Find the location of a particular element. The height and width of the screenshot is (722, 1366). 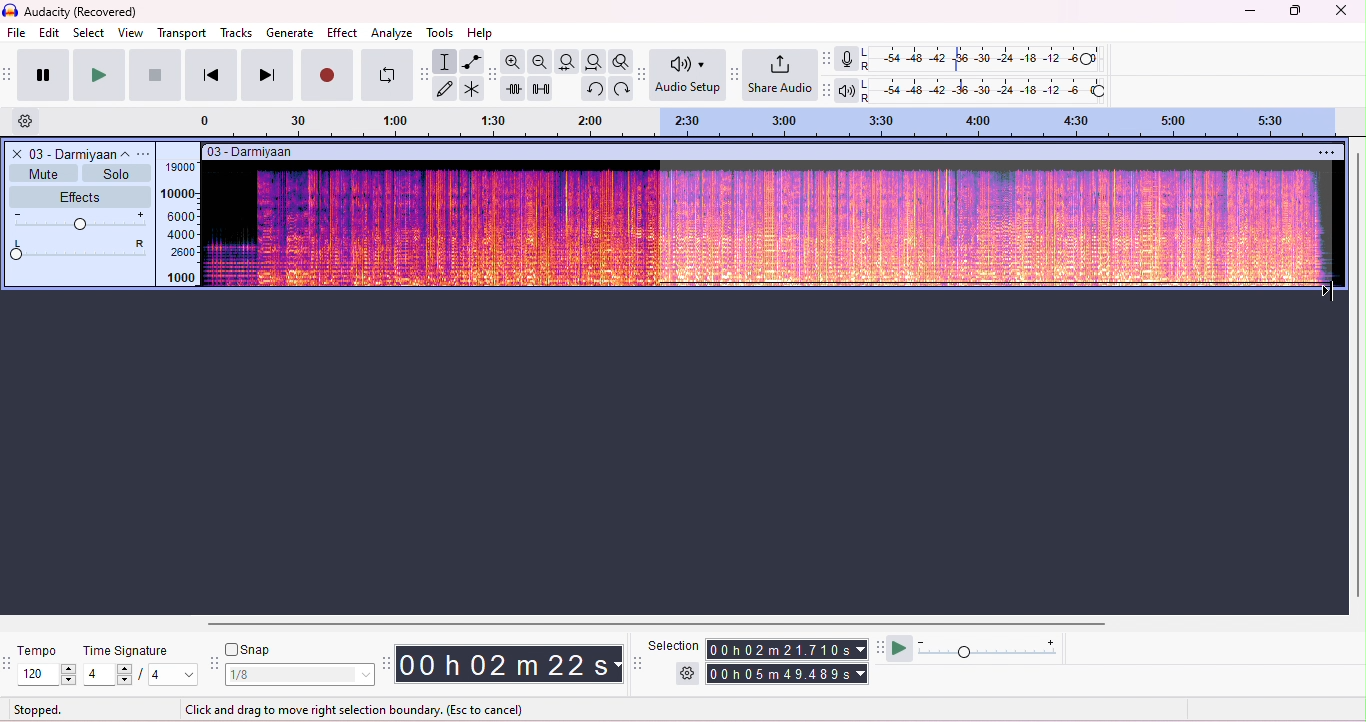

tempo toll bar is located at coordinates (9, 661).